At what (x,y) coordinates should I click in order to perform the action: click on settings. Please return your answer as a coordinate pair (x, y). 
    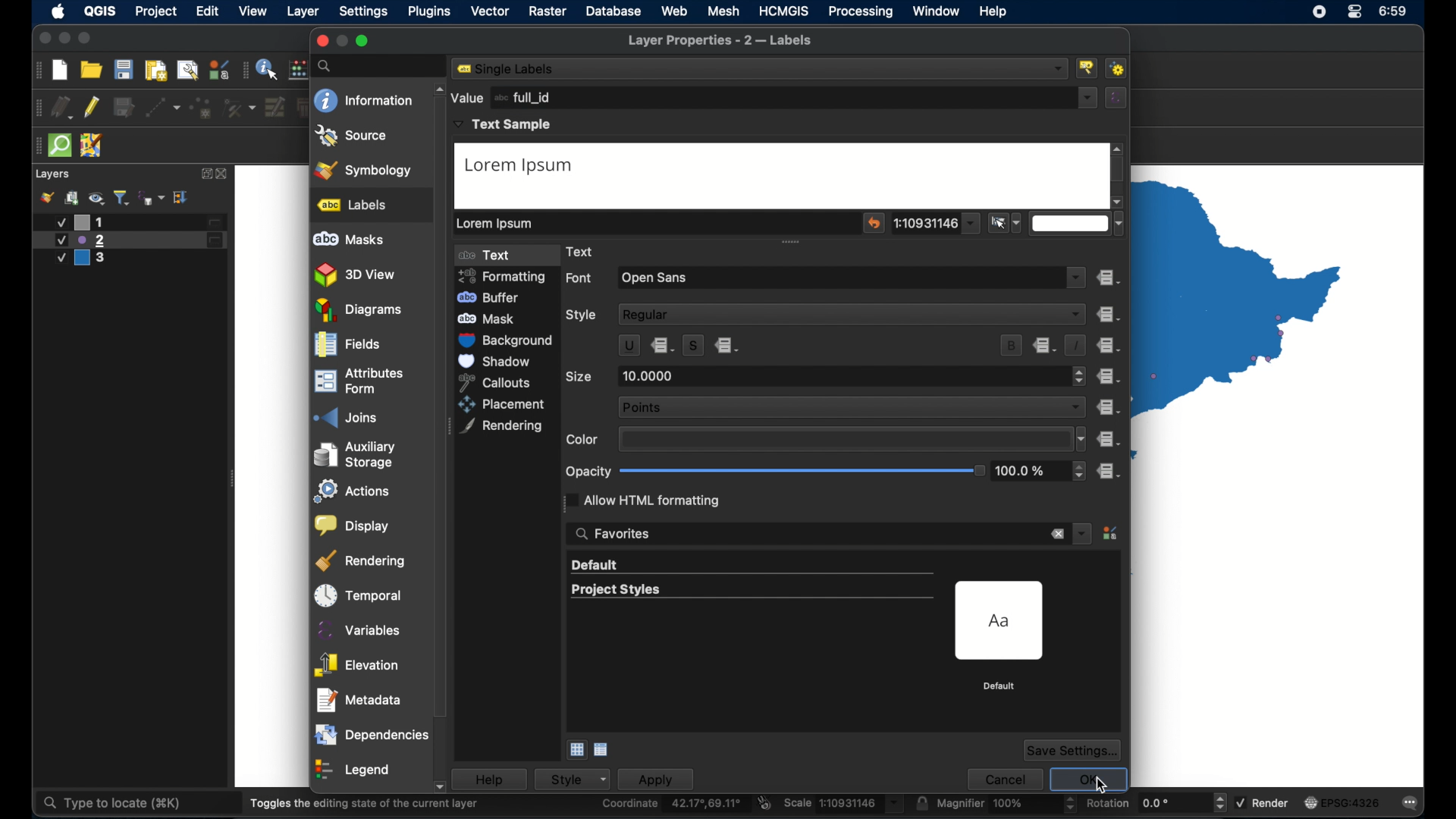
    Looking at the image, I should click on (363, 12).